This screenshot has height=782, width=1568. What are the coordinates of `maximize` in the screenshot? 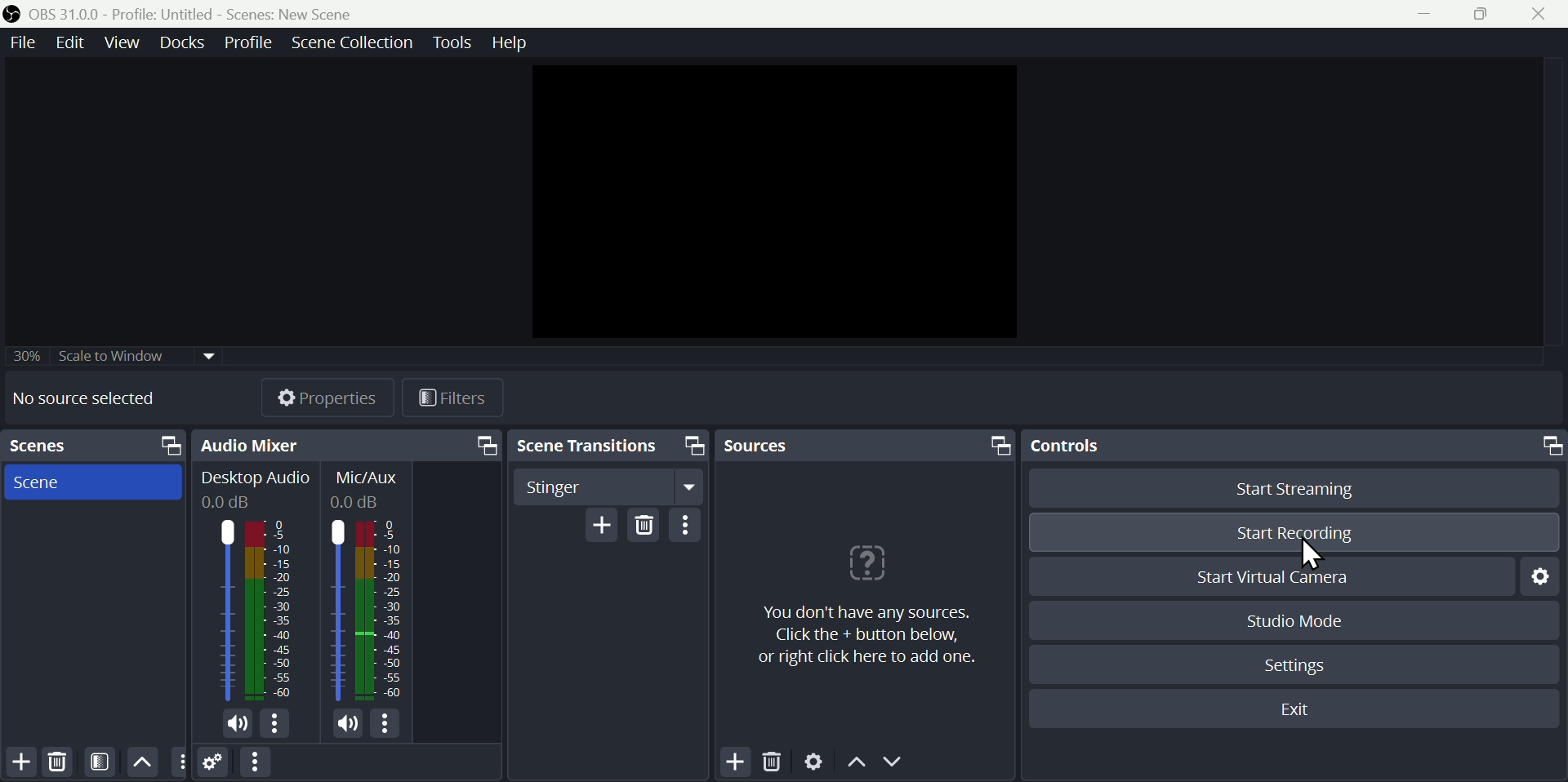 It's located at (488, 445).